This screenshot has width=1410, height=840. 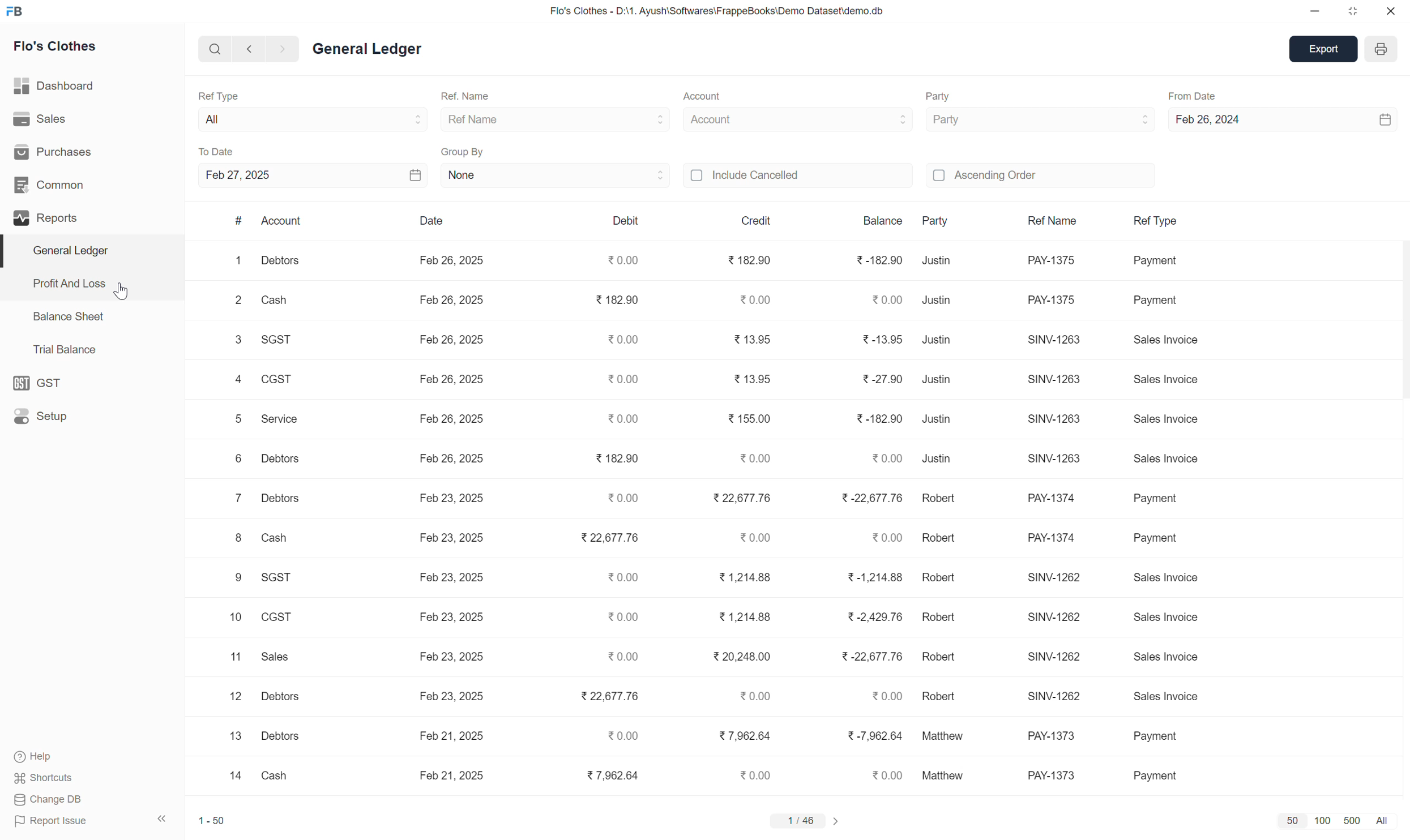 What do you see at coordinates (1052, 260) in the screenshot?
I see `PAY-1375` at bounding box center [1052, 260].